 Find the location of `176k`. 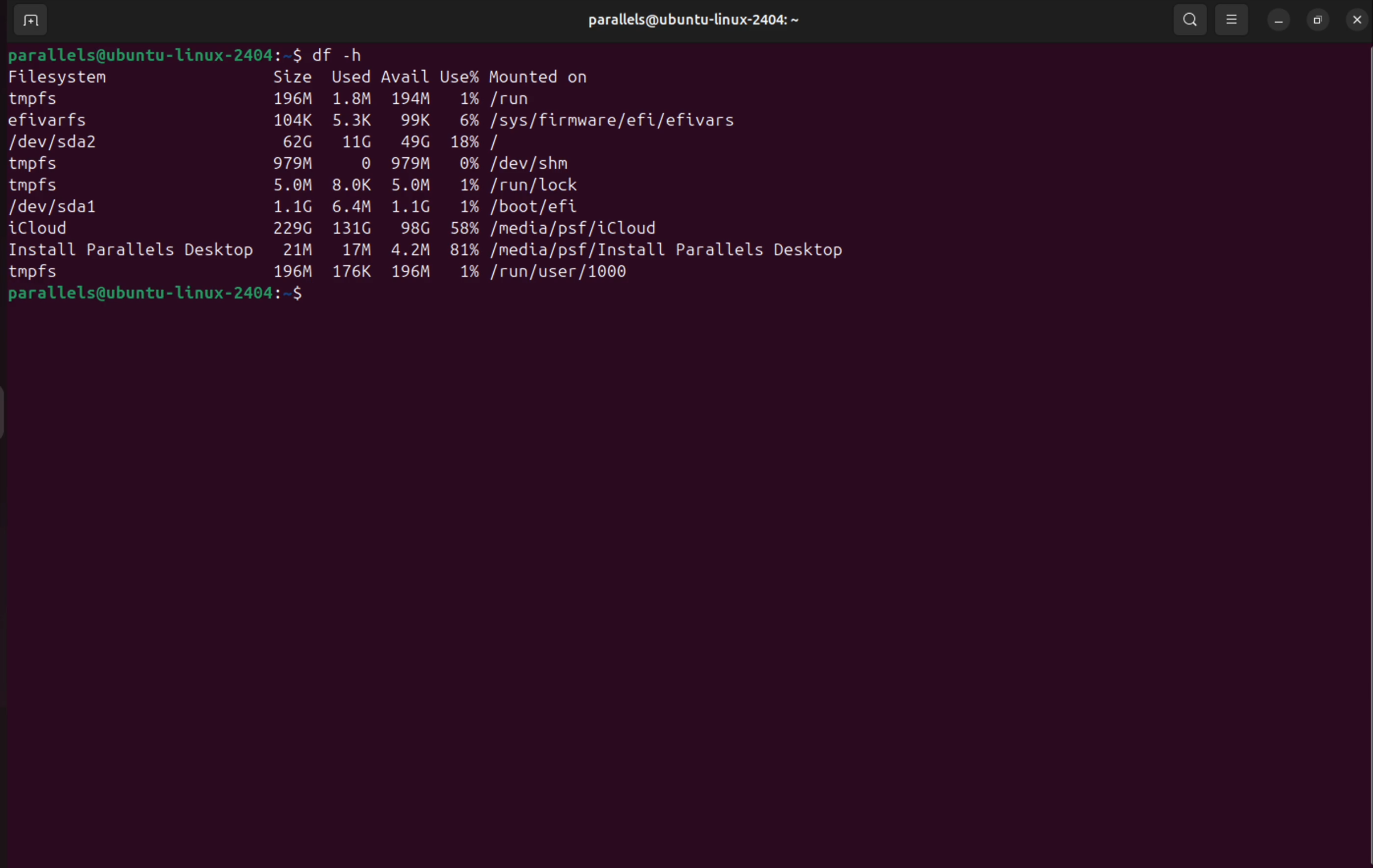

176k is located at coordinates (353, 269).